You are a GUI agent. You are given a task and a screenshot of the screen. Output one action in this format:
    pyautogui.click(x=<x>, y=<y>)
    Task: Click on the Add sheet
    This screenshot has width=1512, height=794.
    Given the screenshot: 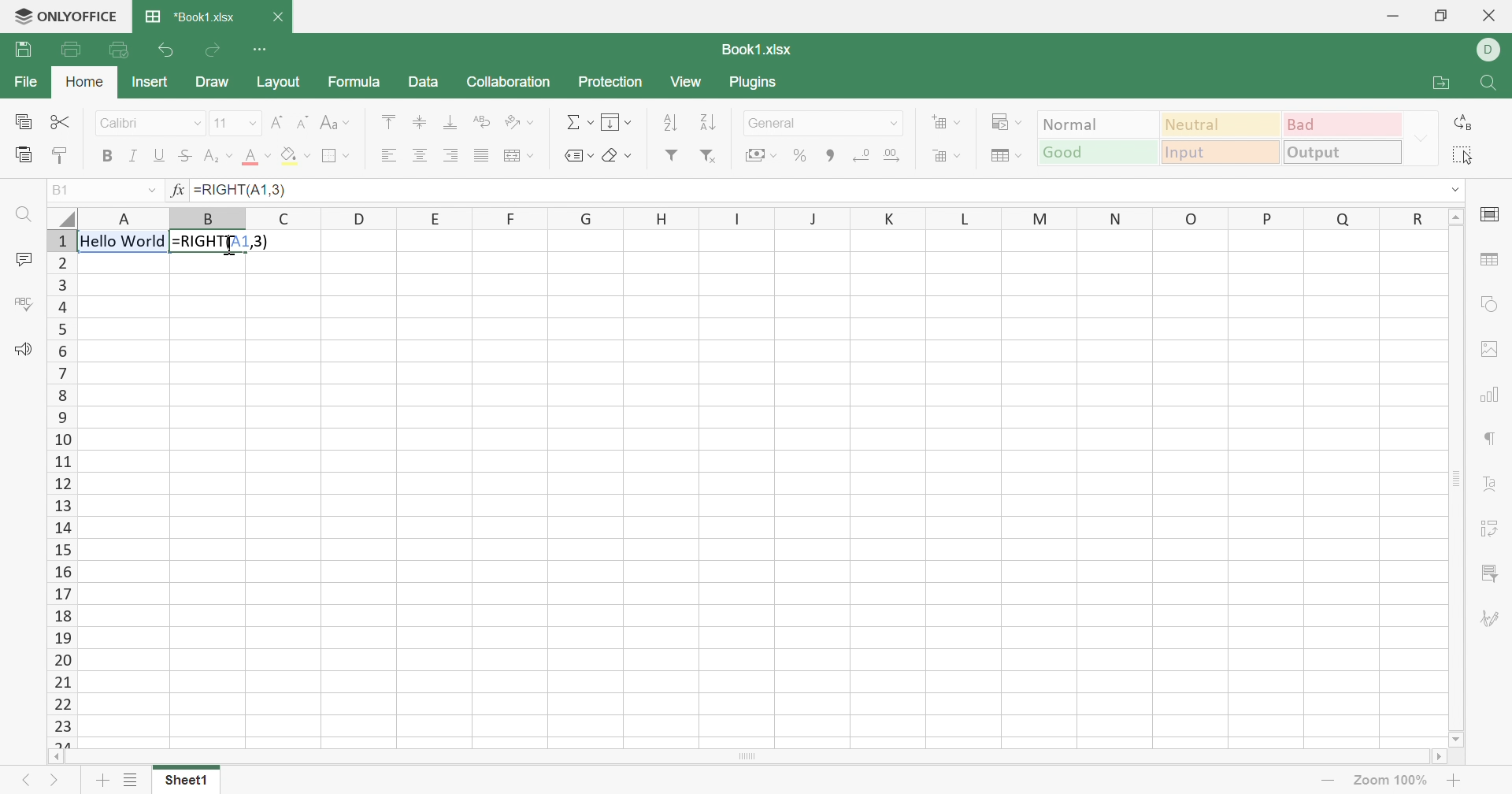 What is the action you would take?
    pyautogui.click(x=99, y=781)
    